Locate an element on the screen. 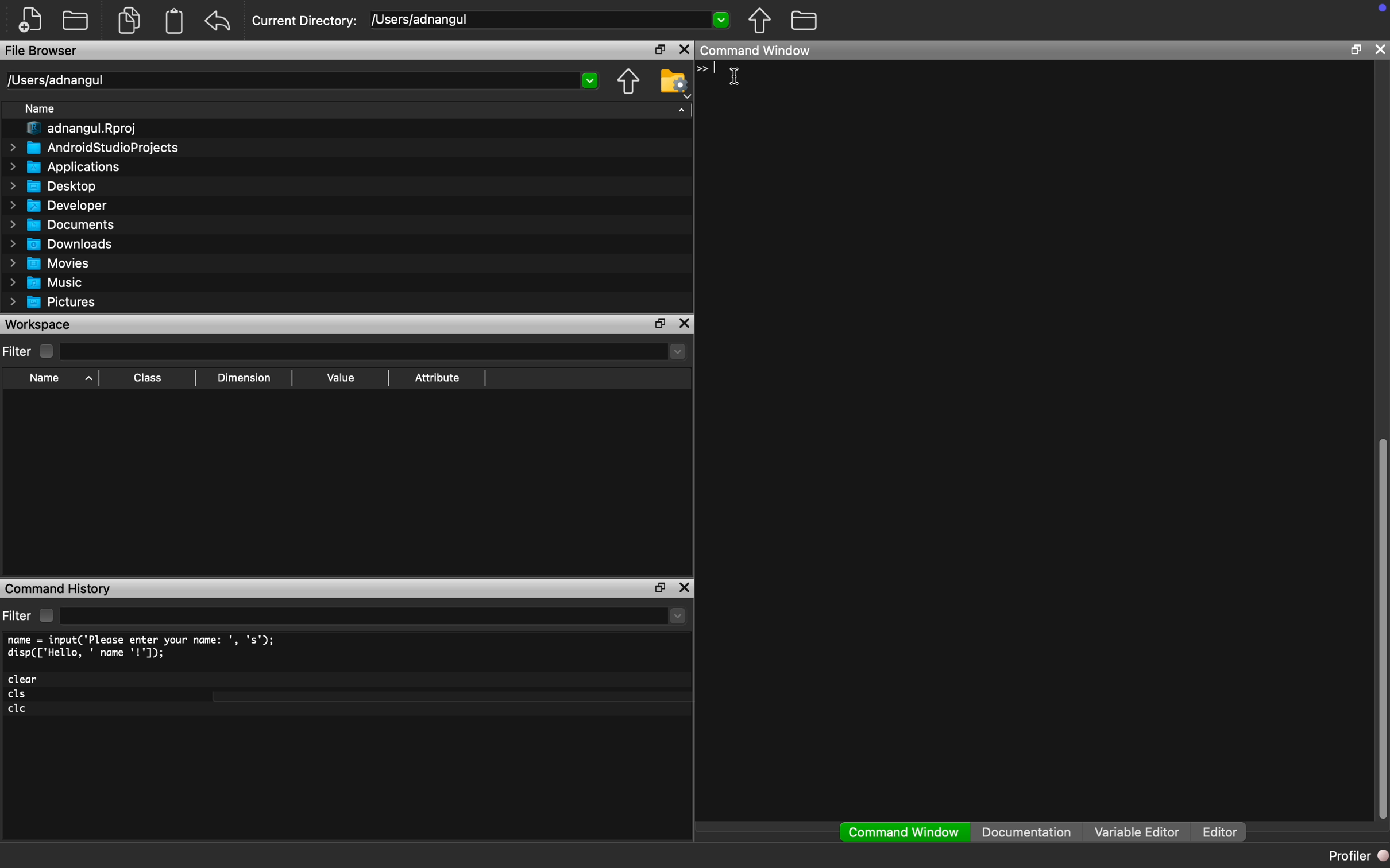  Value is located at coordinates (341, 377).